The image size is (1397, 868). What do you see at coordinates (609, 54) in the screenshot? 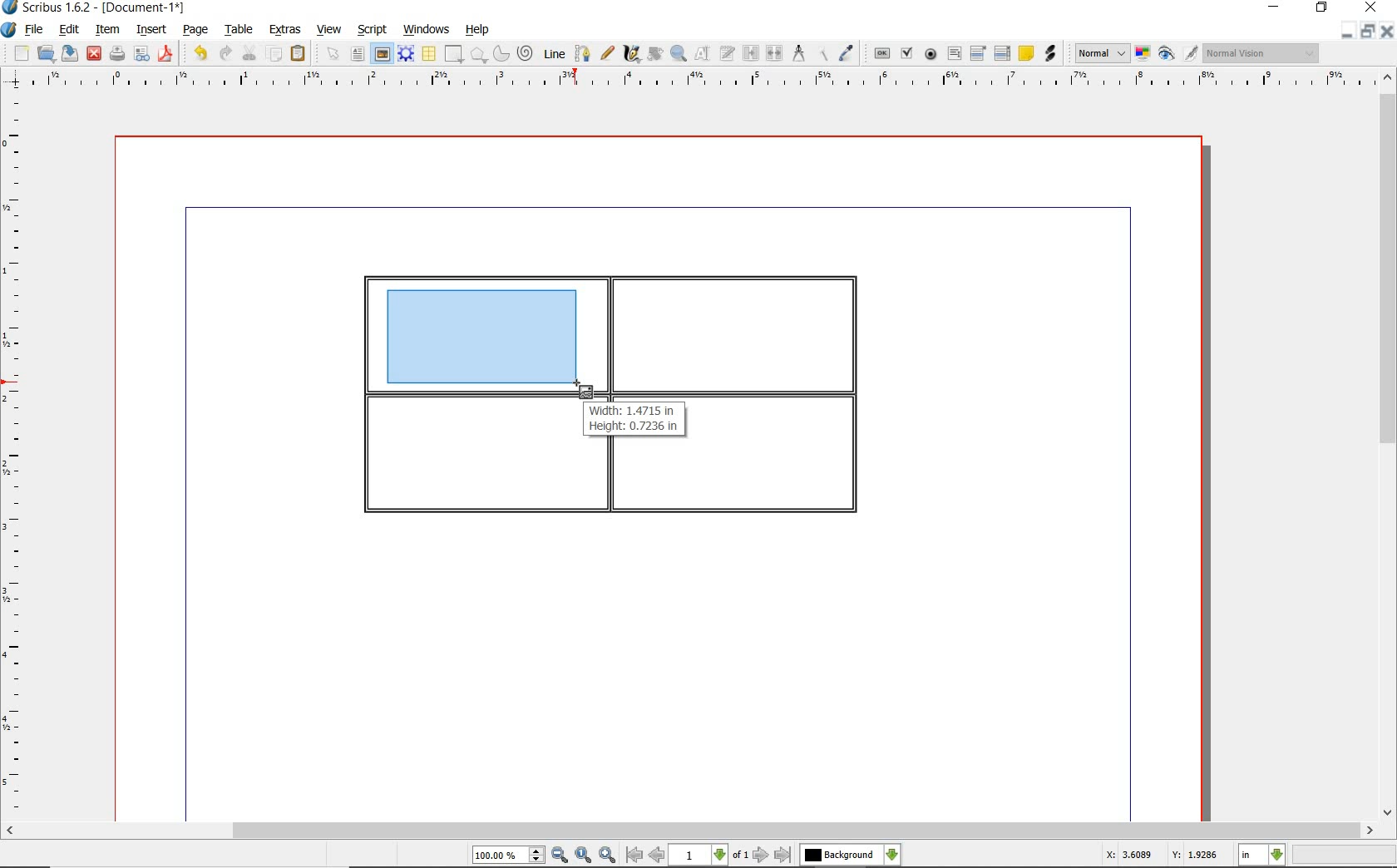
I see `freehand line` at bounding box center [609, 54].